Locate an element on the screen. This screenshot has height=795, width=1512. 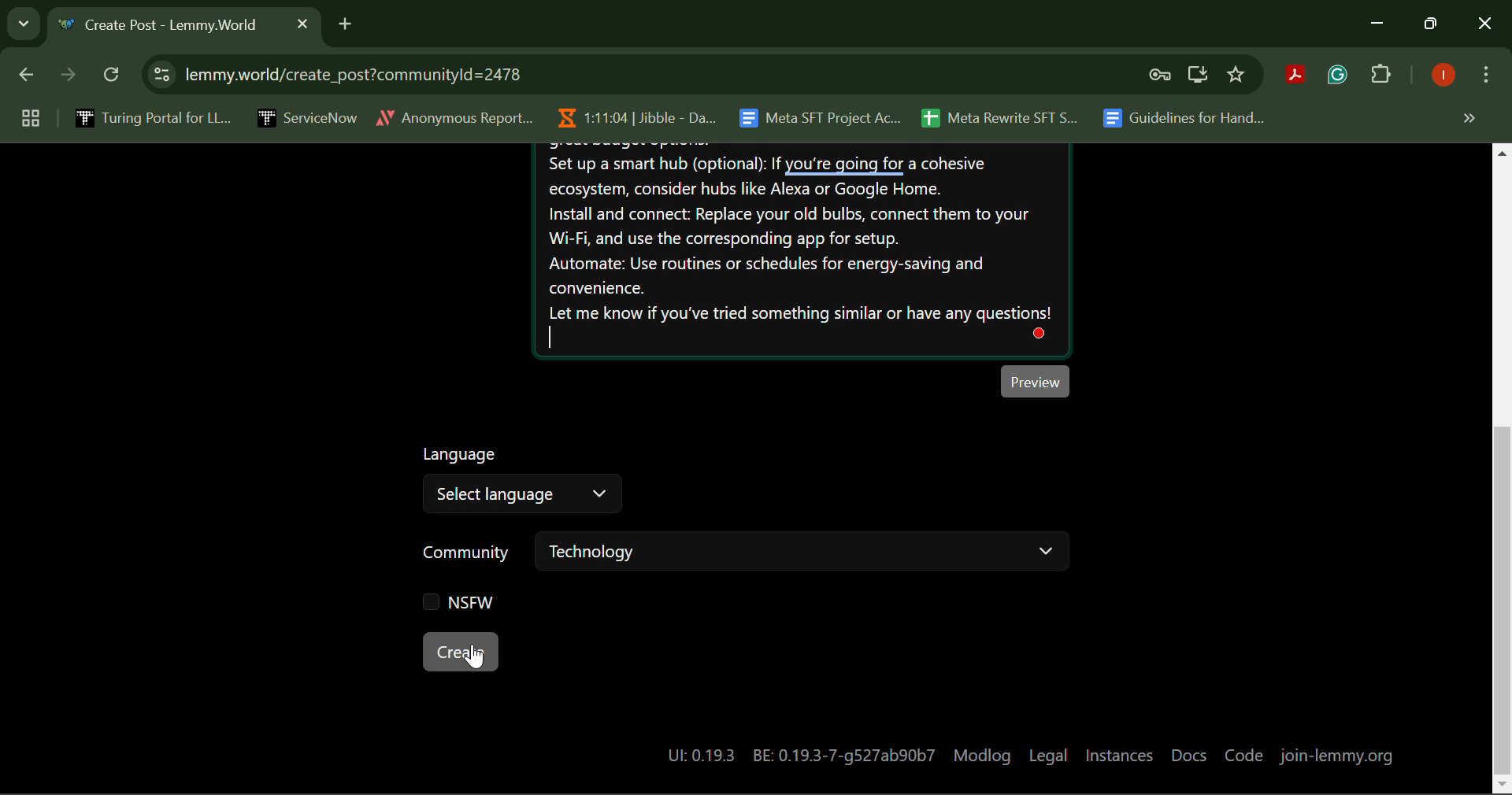
Minimize Down is located at coordinates (1380, 24).